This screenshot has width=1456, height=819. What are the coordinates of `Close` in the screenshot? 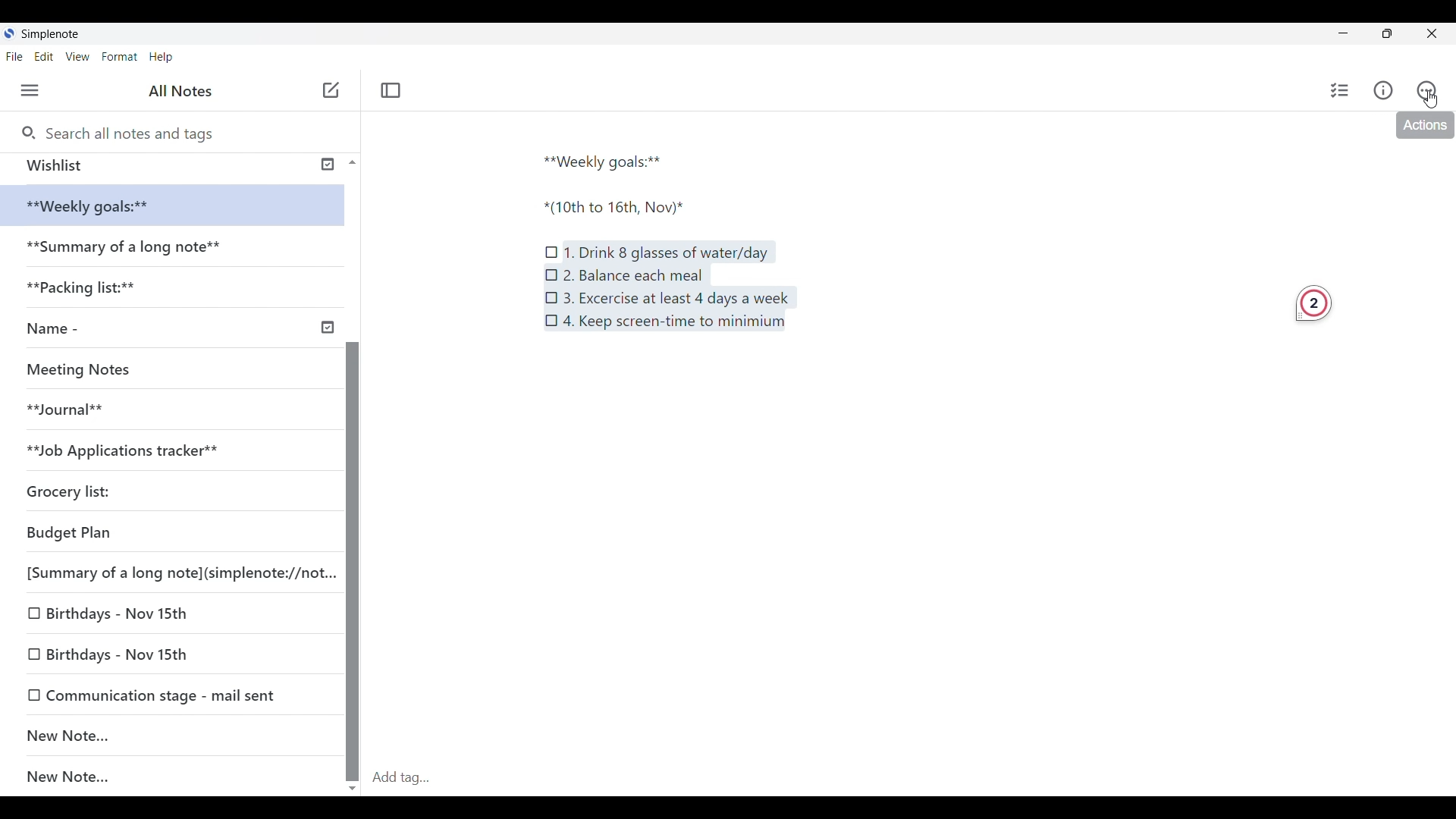 It's located at (1438, 33).